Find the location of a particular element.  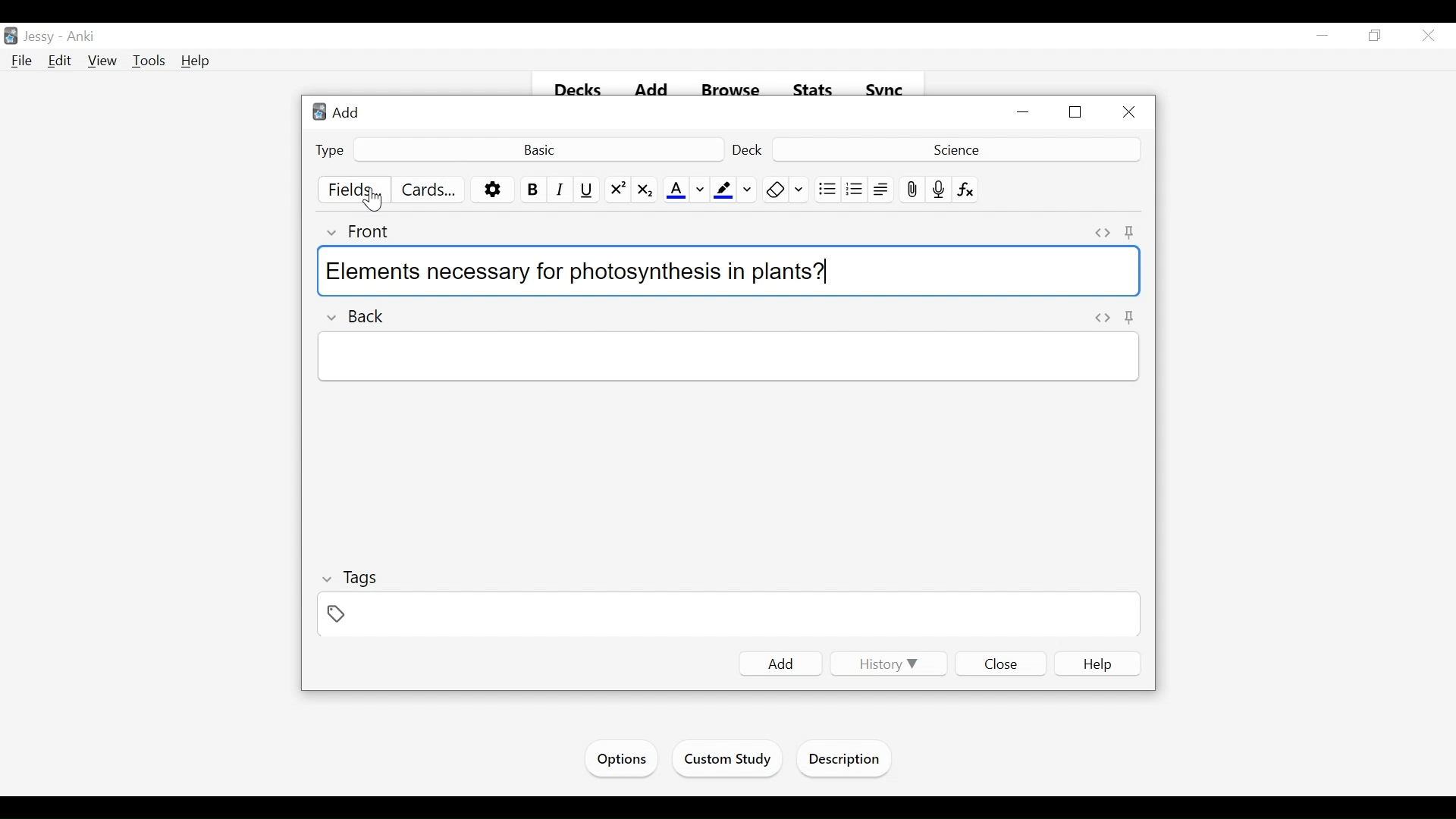

Minimize is located at coordinates (1025, 113).